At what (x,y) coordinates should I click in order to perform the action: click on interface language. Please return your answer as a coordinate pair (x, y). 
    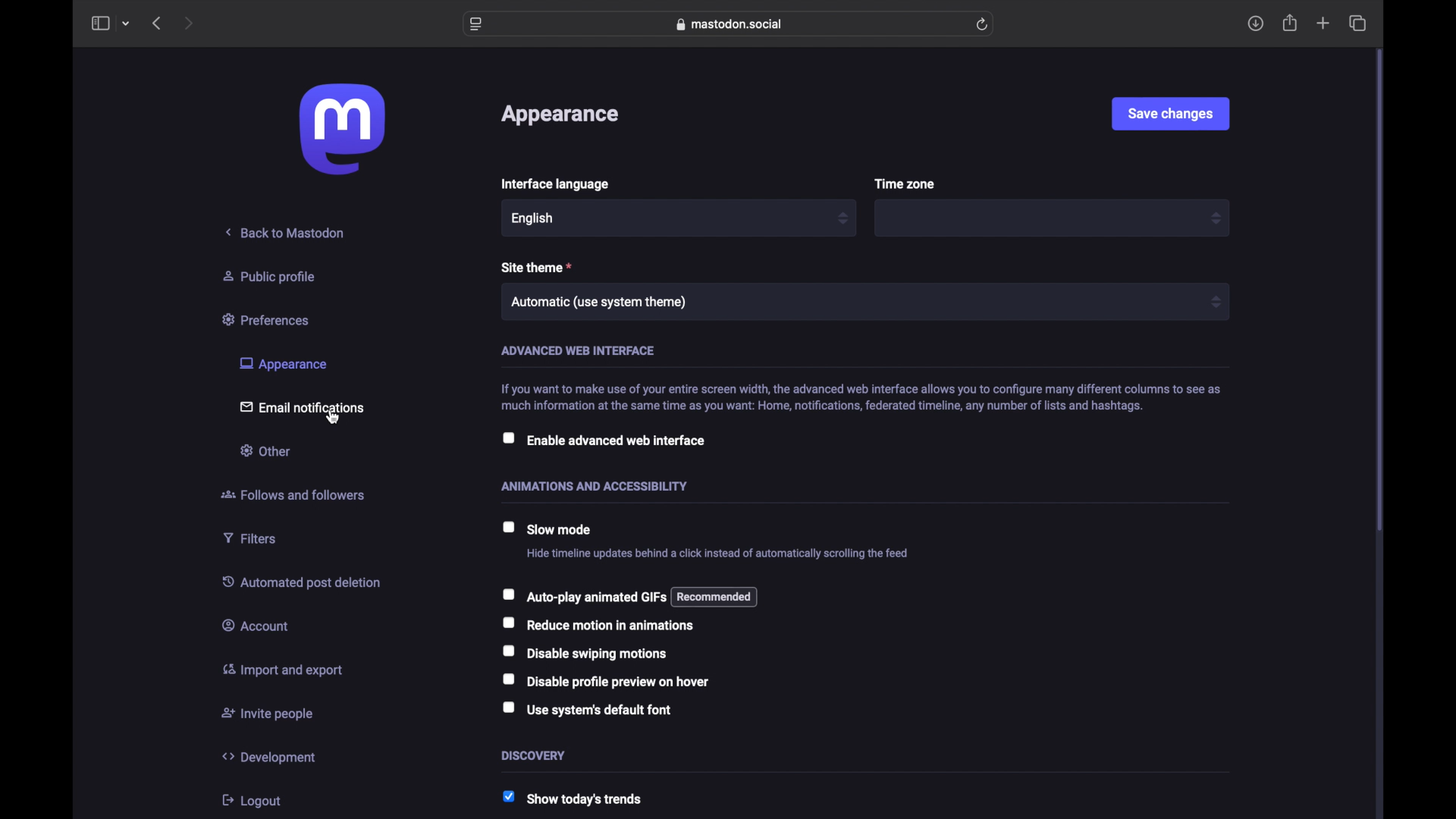
    Looking at the image, I should click on (554, 184).